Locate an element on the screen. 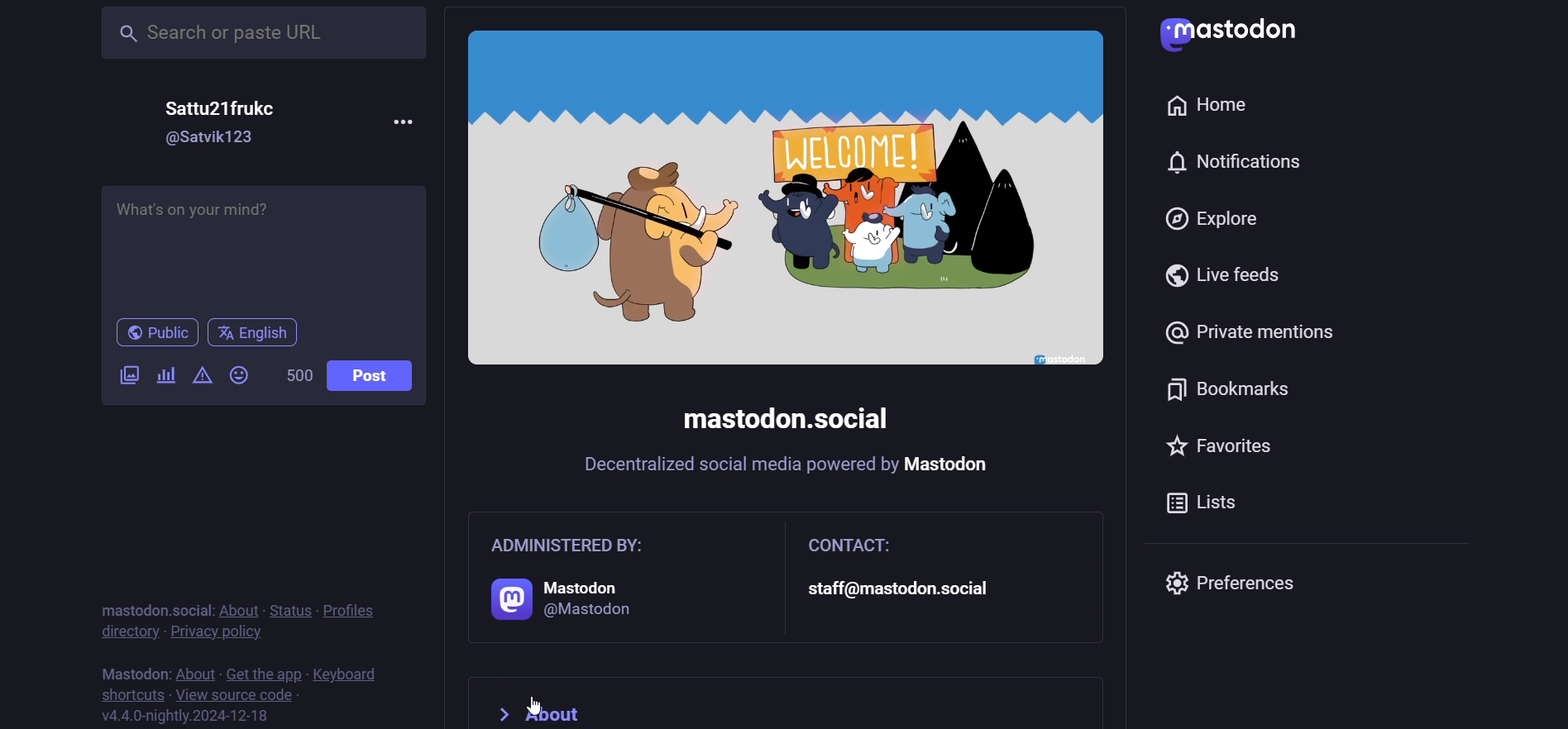 This screenshot has height=729, width=1568. more is located at coordinates (404, 119).